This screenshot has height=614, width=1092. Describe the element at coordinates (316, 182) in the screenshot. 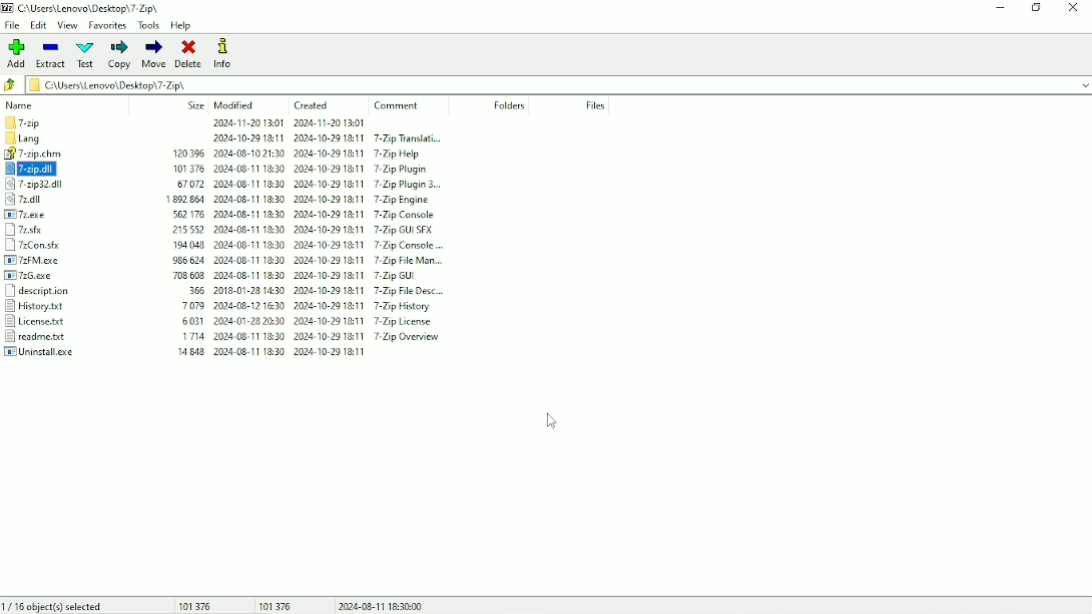

I see `STO72 200408111230 2004.10-291211 7-Zip Plugin 3...` at that location.